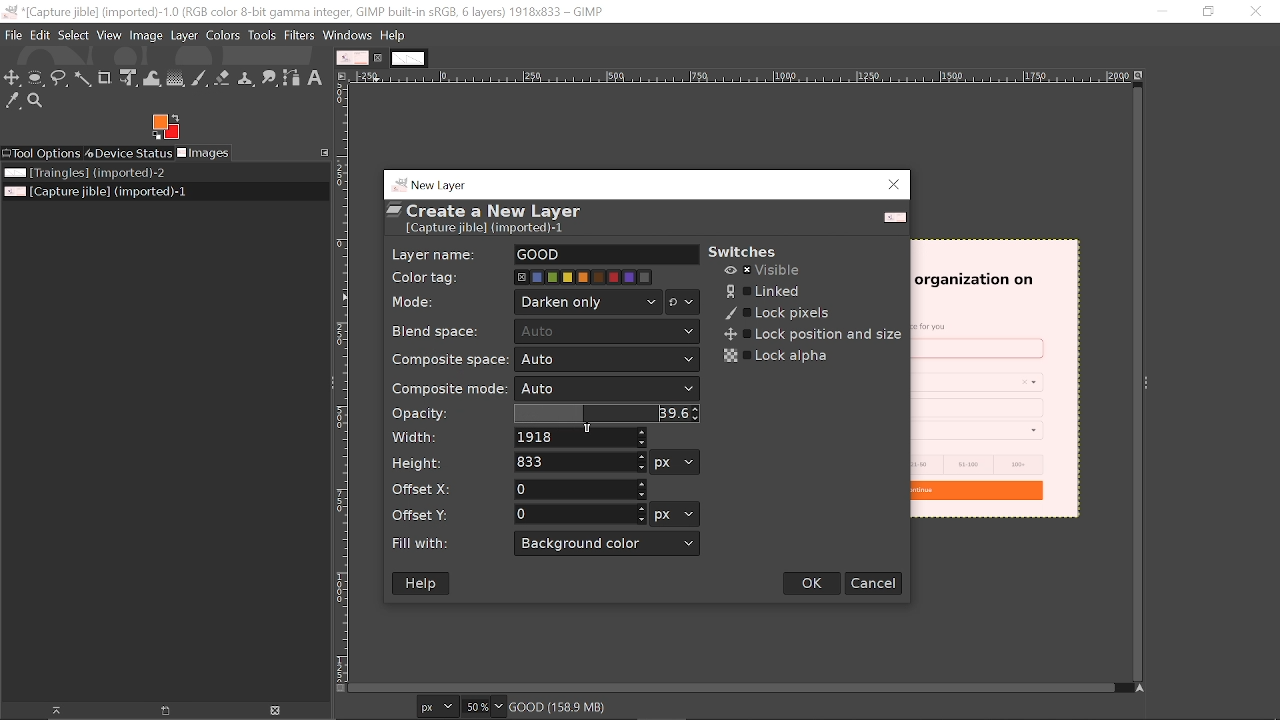 The image size is (1280, 720). Describe the element at coordinates (430, 544) in the screenshot. I see `Fill with:` at that location.